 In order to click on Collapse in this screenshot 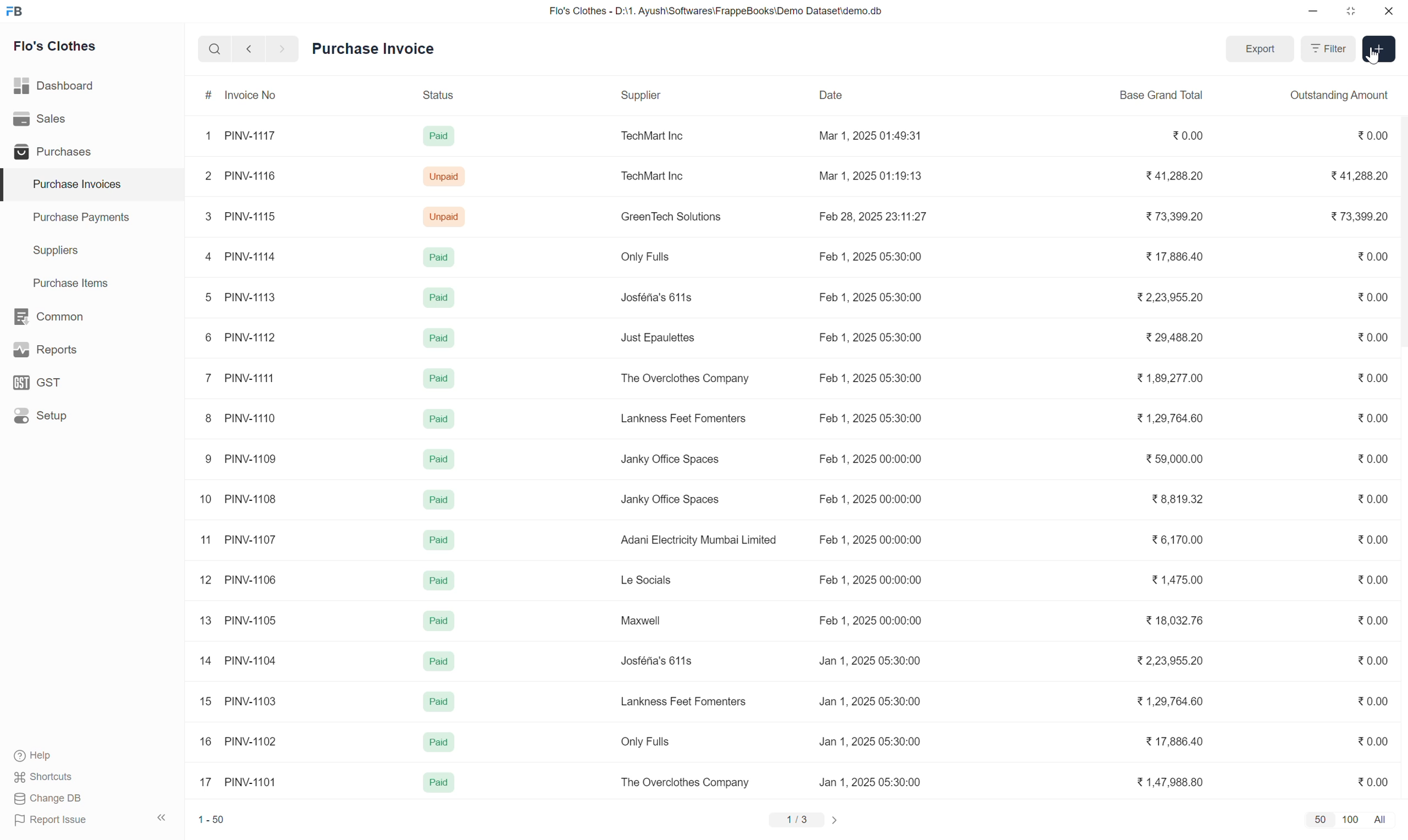, I will do `click(161, 817)`.